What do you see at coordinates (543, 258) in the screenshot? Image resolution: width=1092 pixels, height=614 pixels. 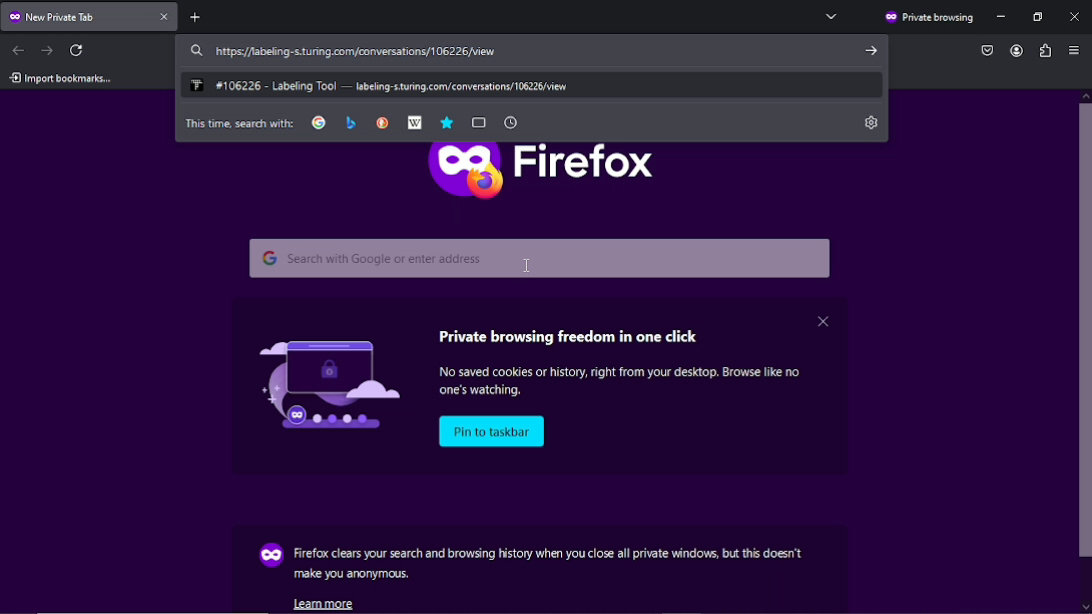 I see `search with google or enter address` at bounding box center [543, 258].